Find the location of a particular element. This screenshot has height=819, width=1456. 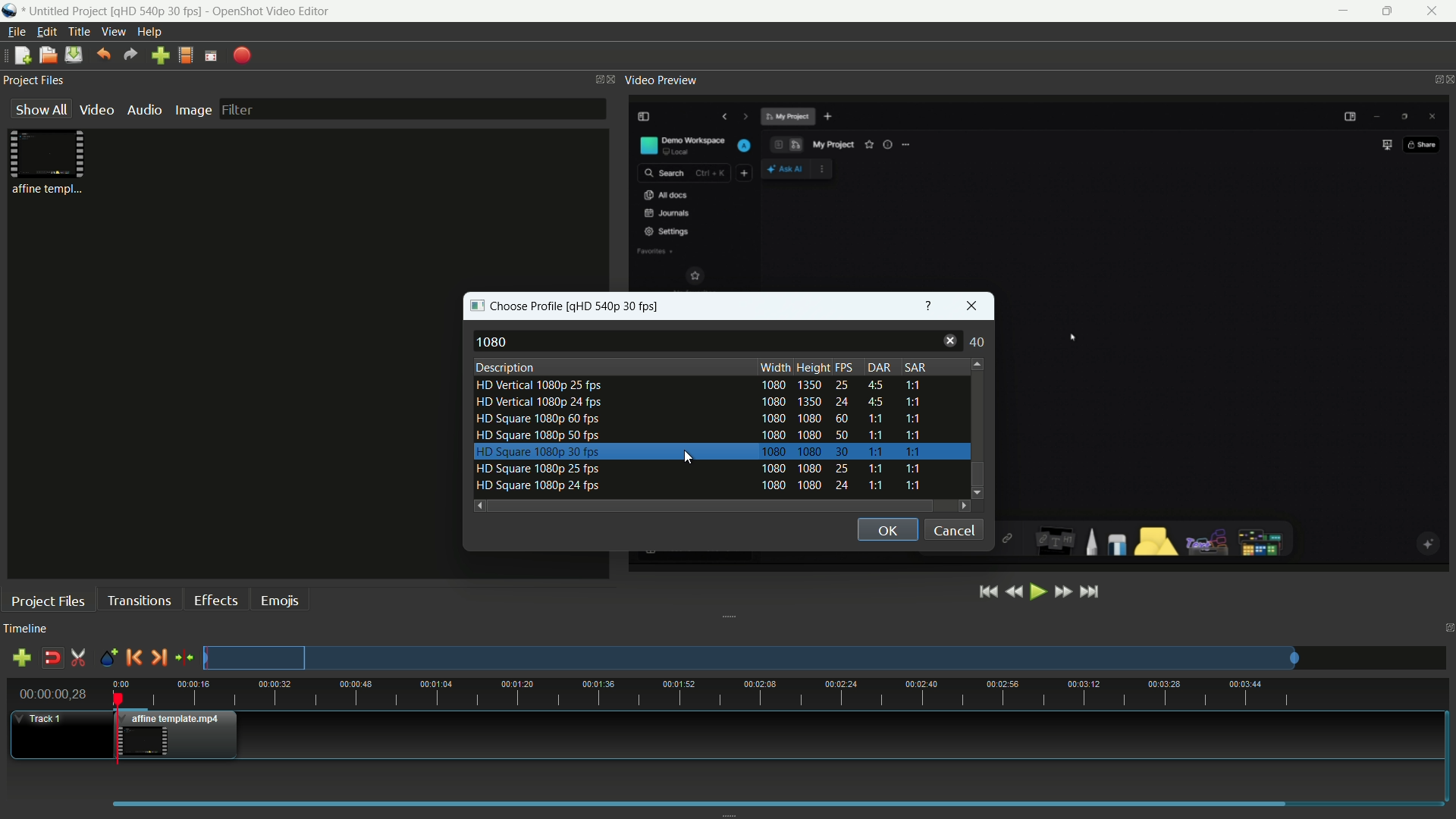

close video preview is located at coordinates (1447, 80).